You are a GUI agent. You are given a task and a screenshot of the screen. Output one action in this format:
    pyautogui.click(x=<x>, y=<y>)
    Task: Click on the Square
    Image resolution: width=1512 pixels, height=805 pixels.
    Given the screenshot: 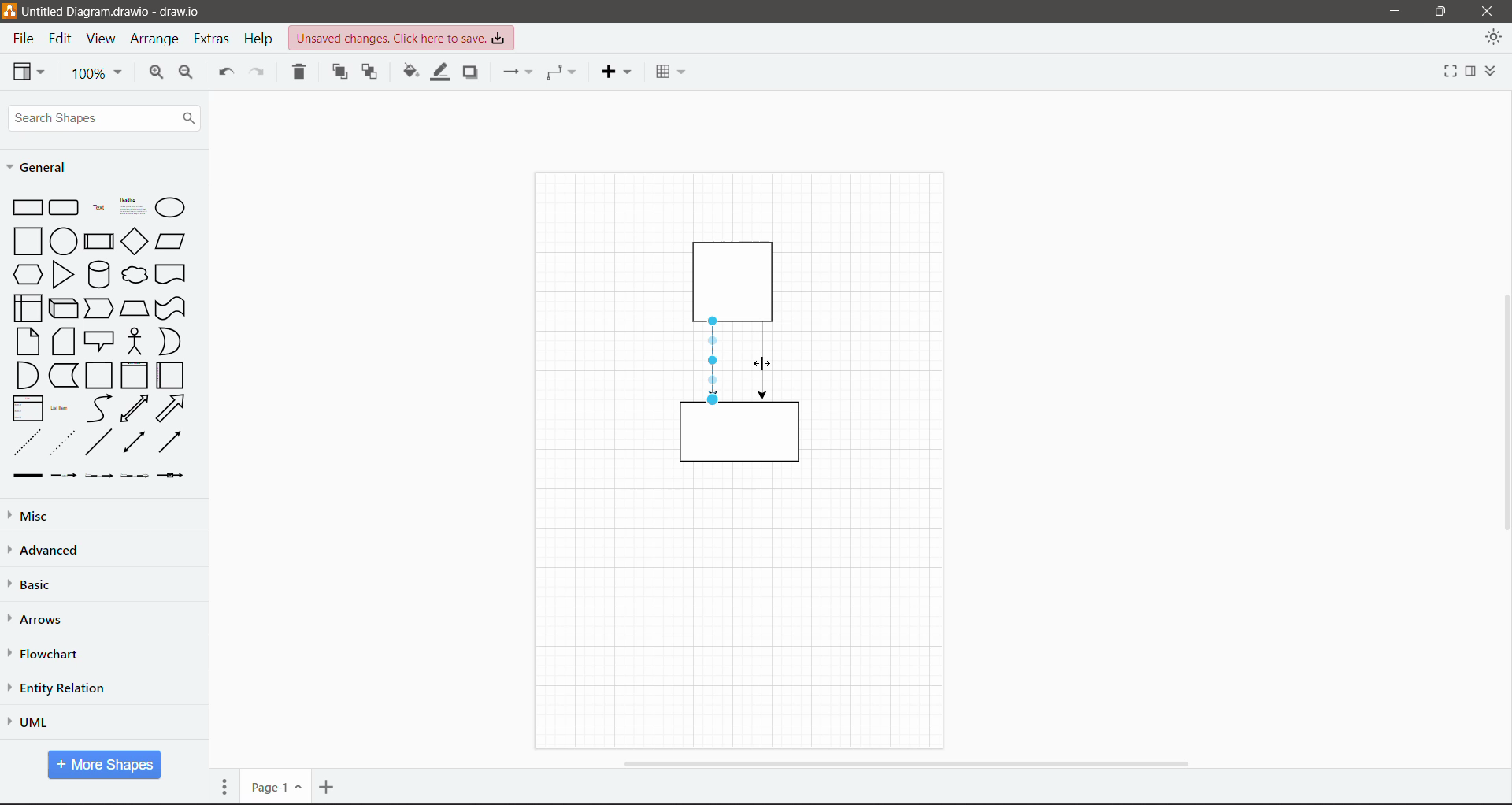 What is the action you would take?
    pyautogui.click(x=26, y=240)
    